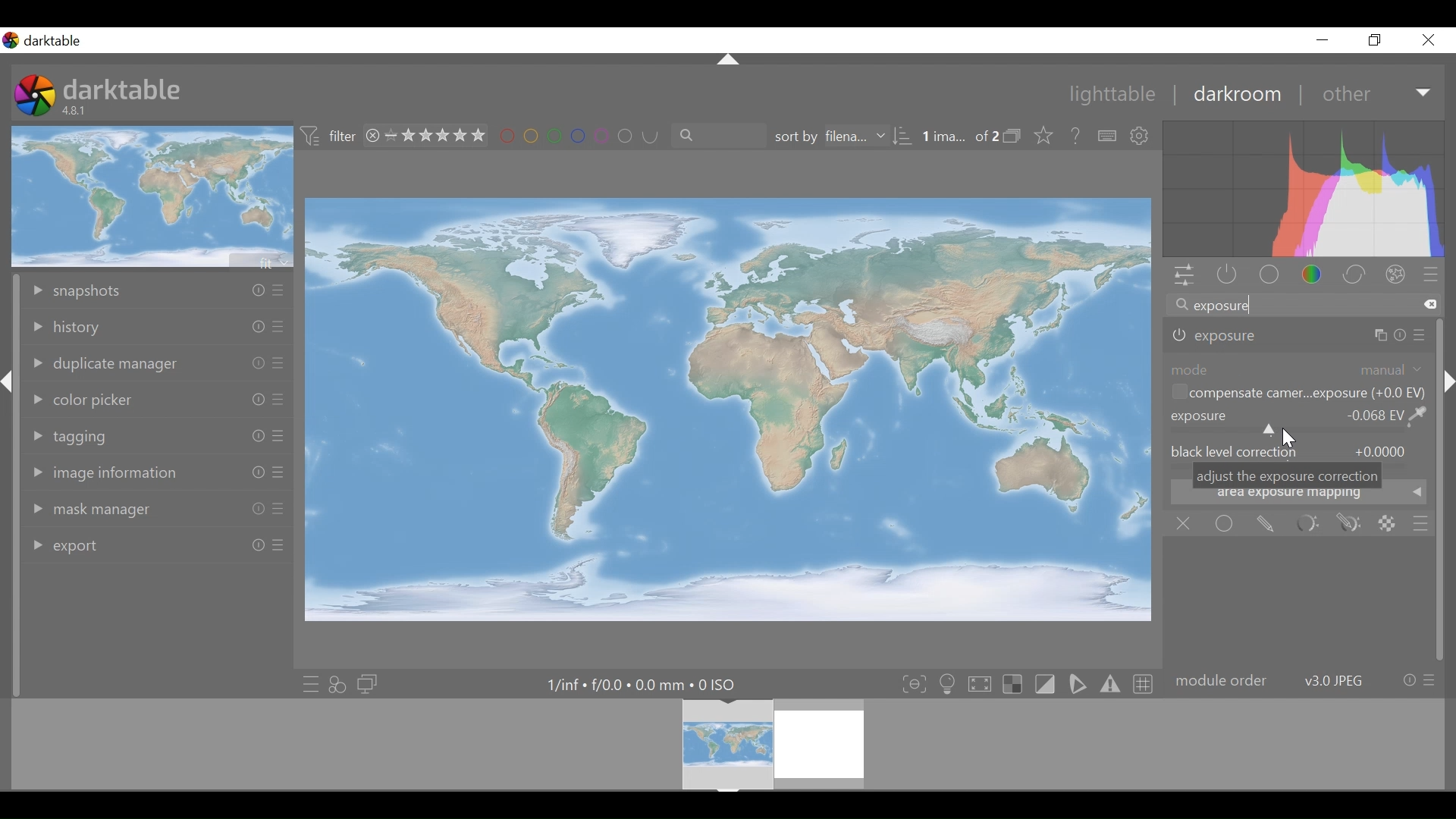  Describe the element at coordinates (1352, 523) in the screenshot. I see `drawn and parametric mask` at that location.